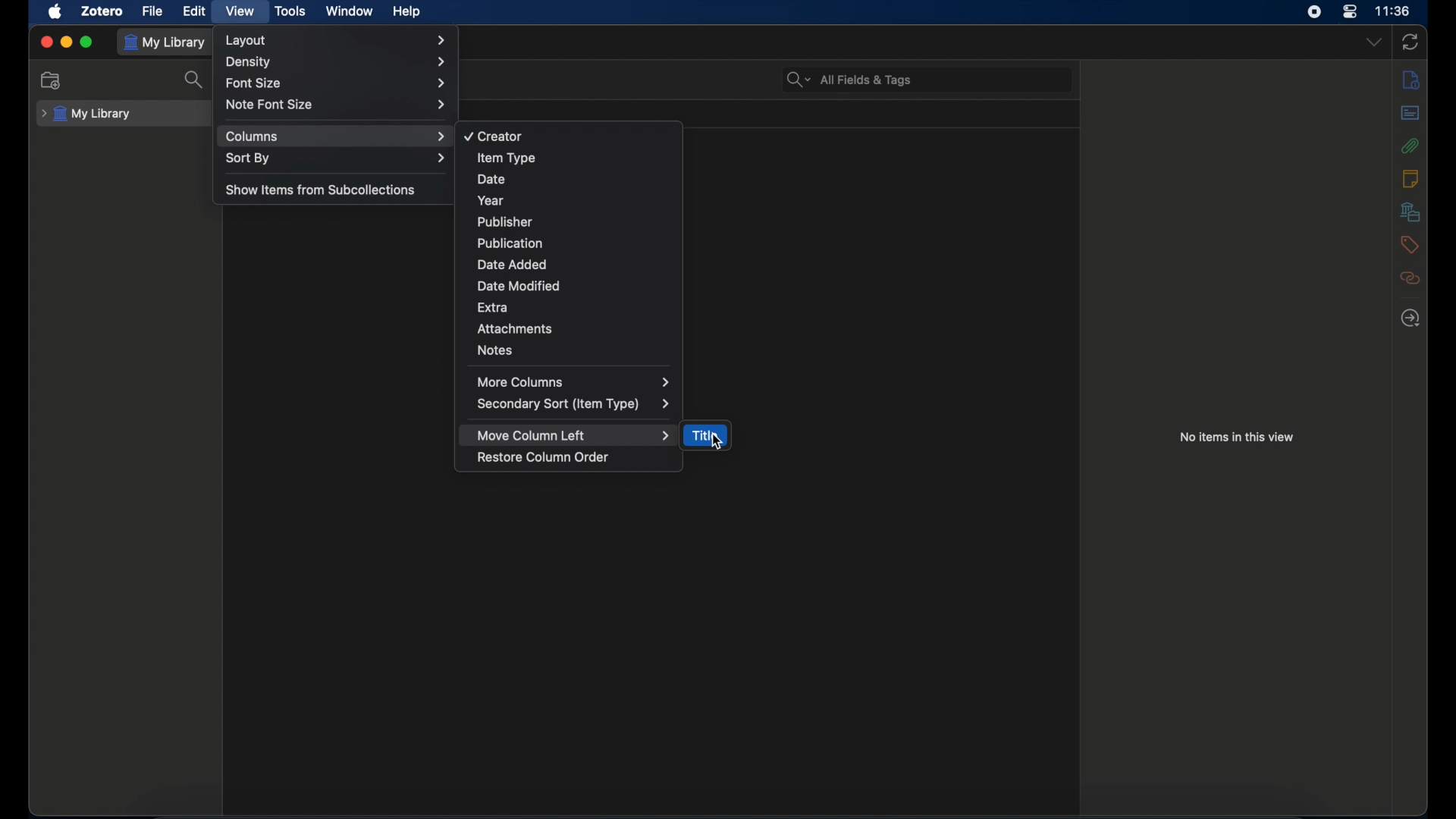 This screenshot has width=1456, height=819. I want to click on view, so click(240, 11).